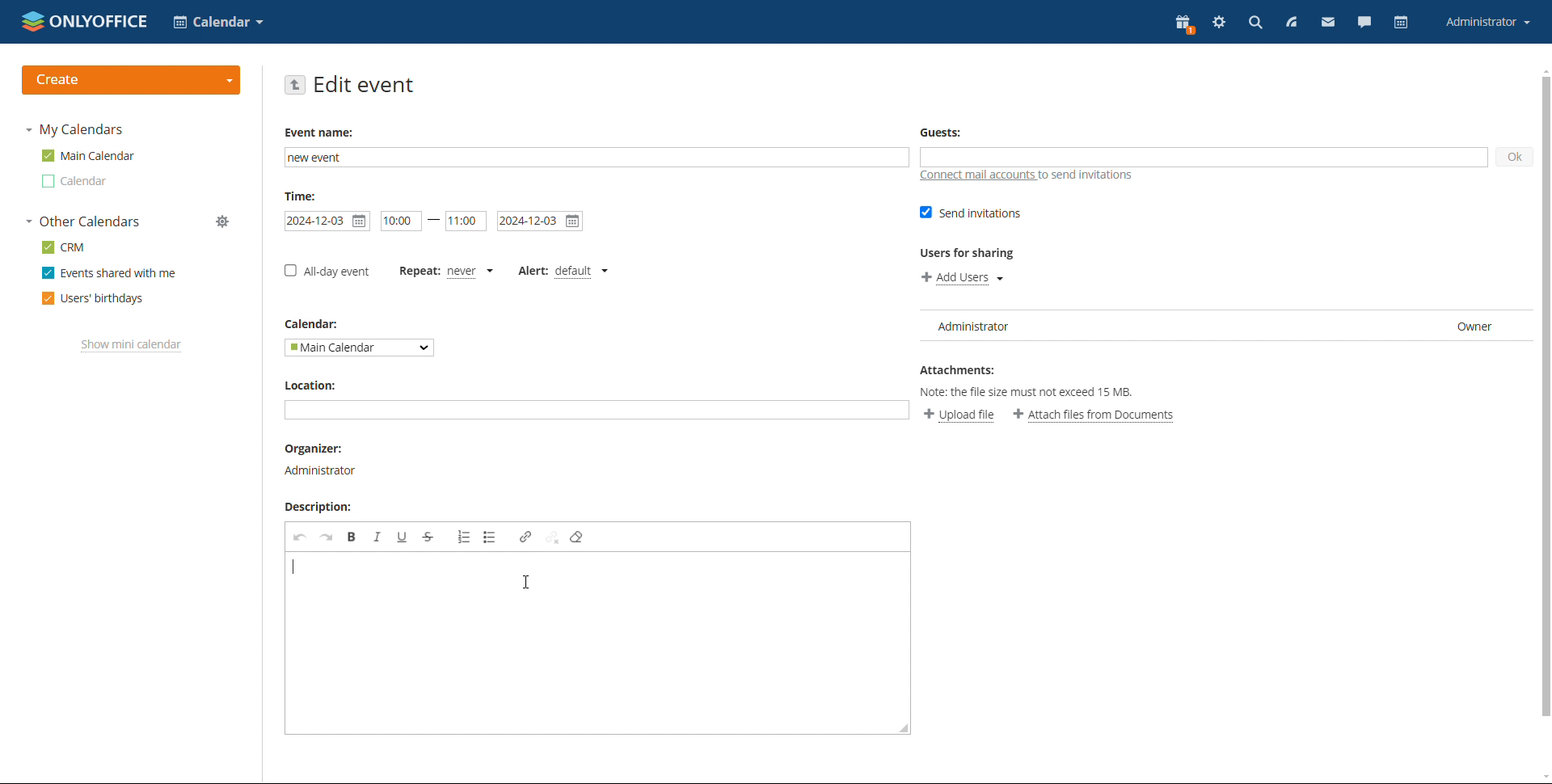  I want to click on main calendar, so click(89, 155).